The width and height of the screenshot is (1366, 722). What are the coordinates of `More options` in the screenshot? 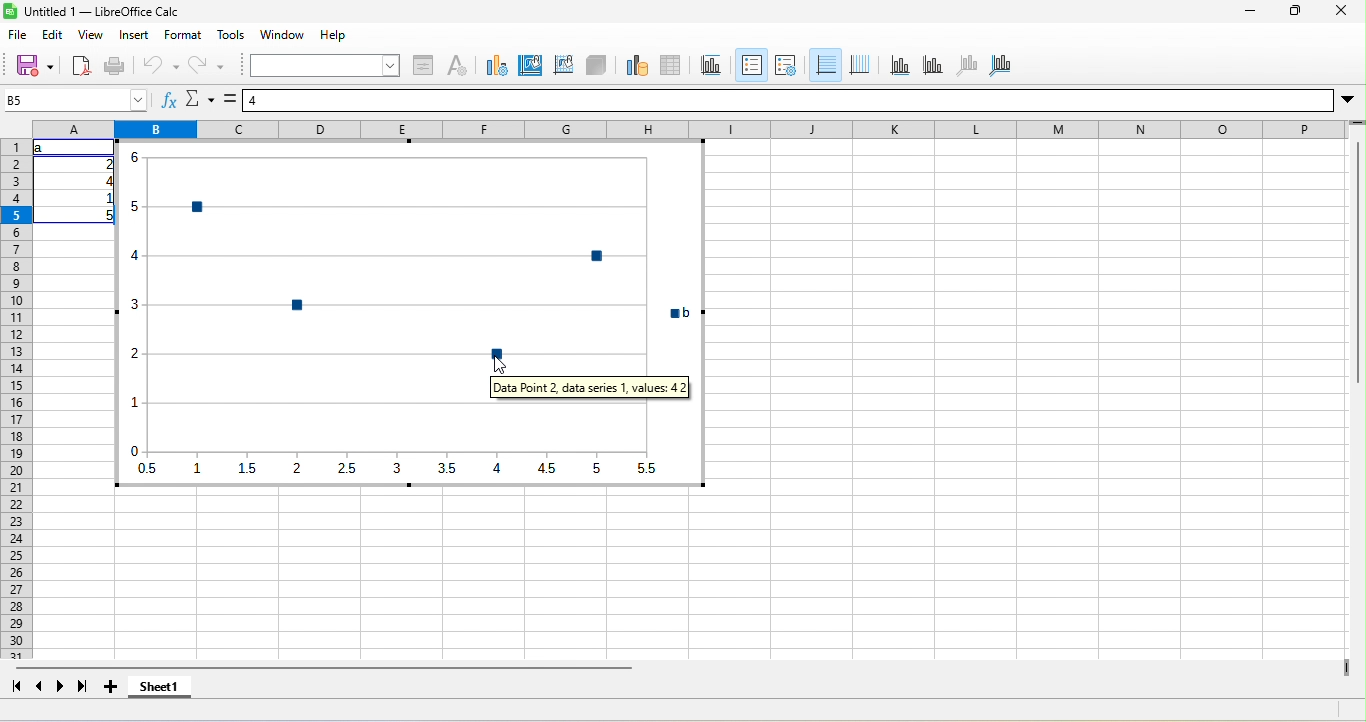 It's located at (1348, 101).